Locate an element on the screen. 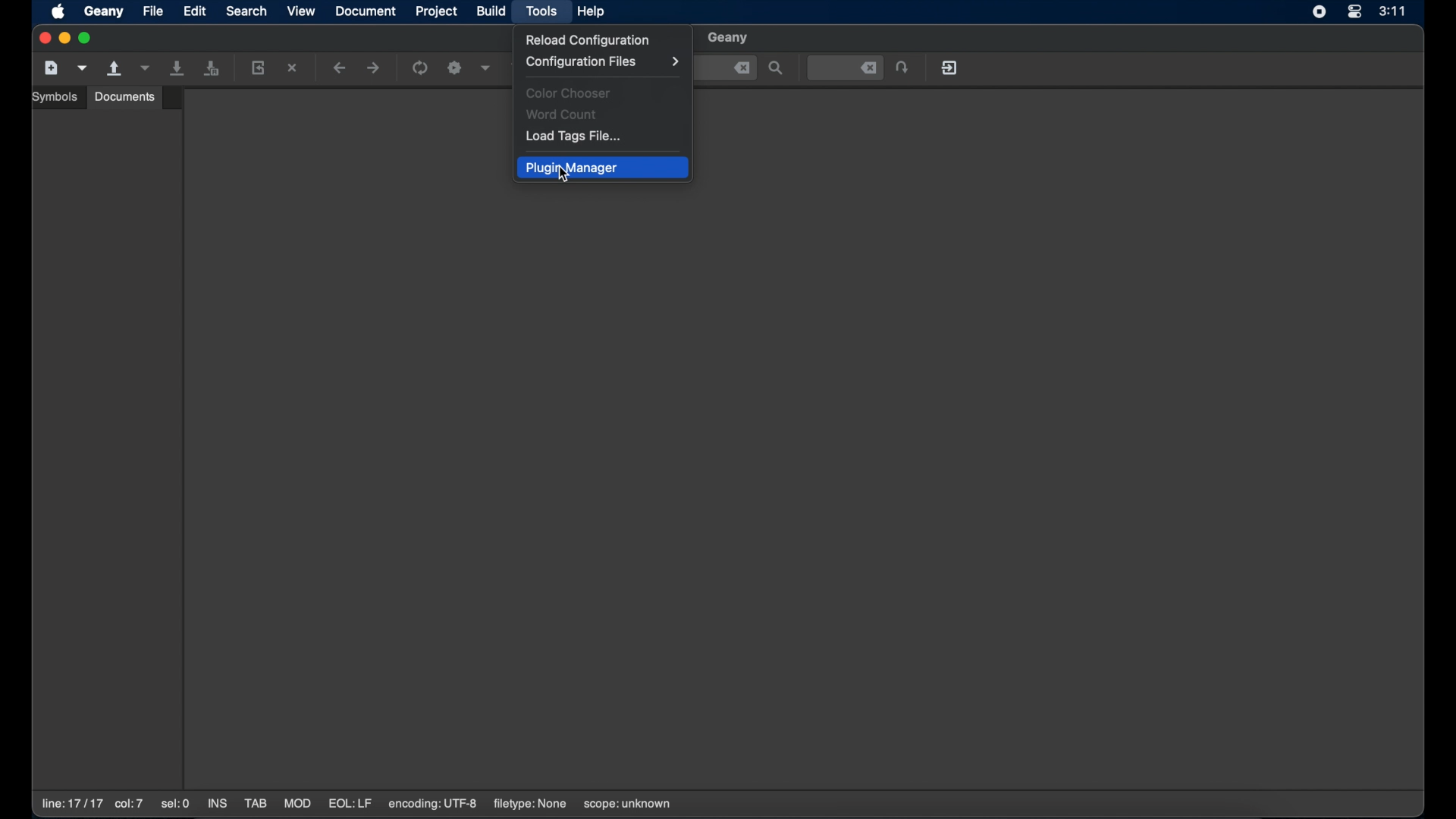 The height and width of the screenshot is (819, 1456). project is located at coordinates (438, 11).